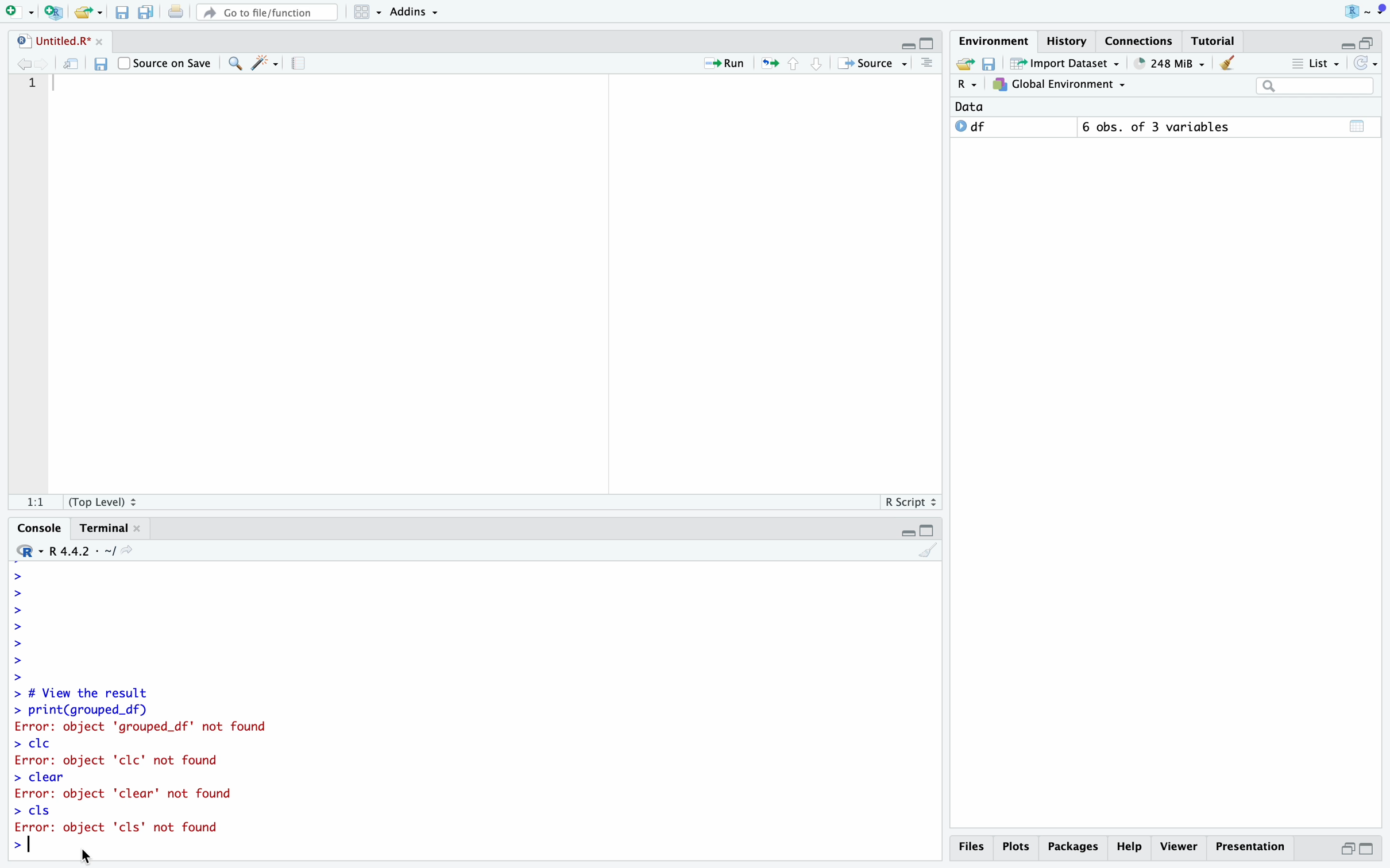 Image resolution: width=1390 pixels, height=868 pixels. I want to click on Console, so click(40, 528).